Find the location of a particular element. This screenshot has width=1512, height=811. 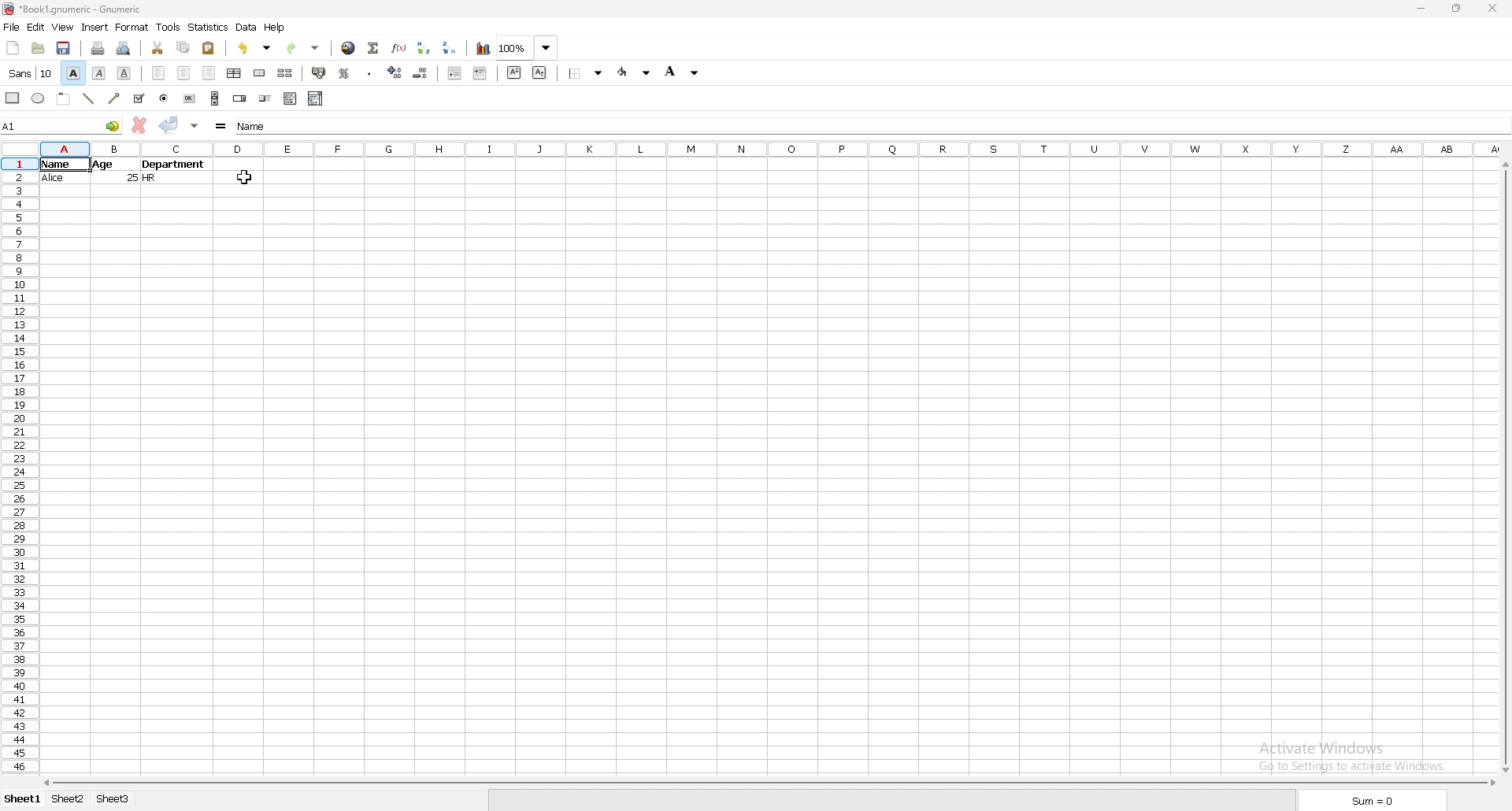

sheet 3 is located at coordinates (113, 799).